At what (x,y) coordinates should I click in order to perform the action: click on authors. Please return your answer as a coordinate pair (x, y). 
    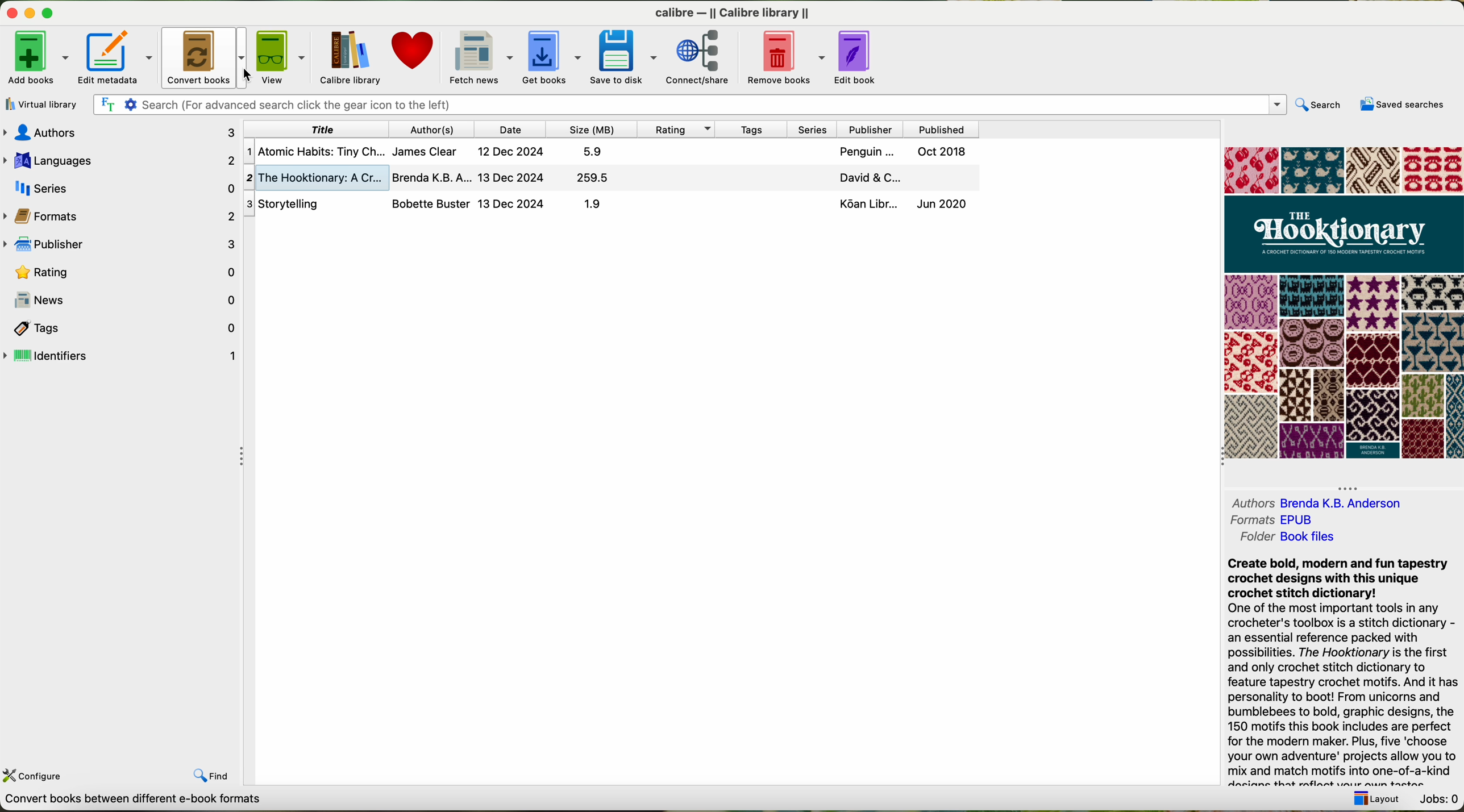
    Looking at the image, I should click on (120, 134).